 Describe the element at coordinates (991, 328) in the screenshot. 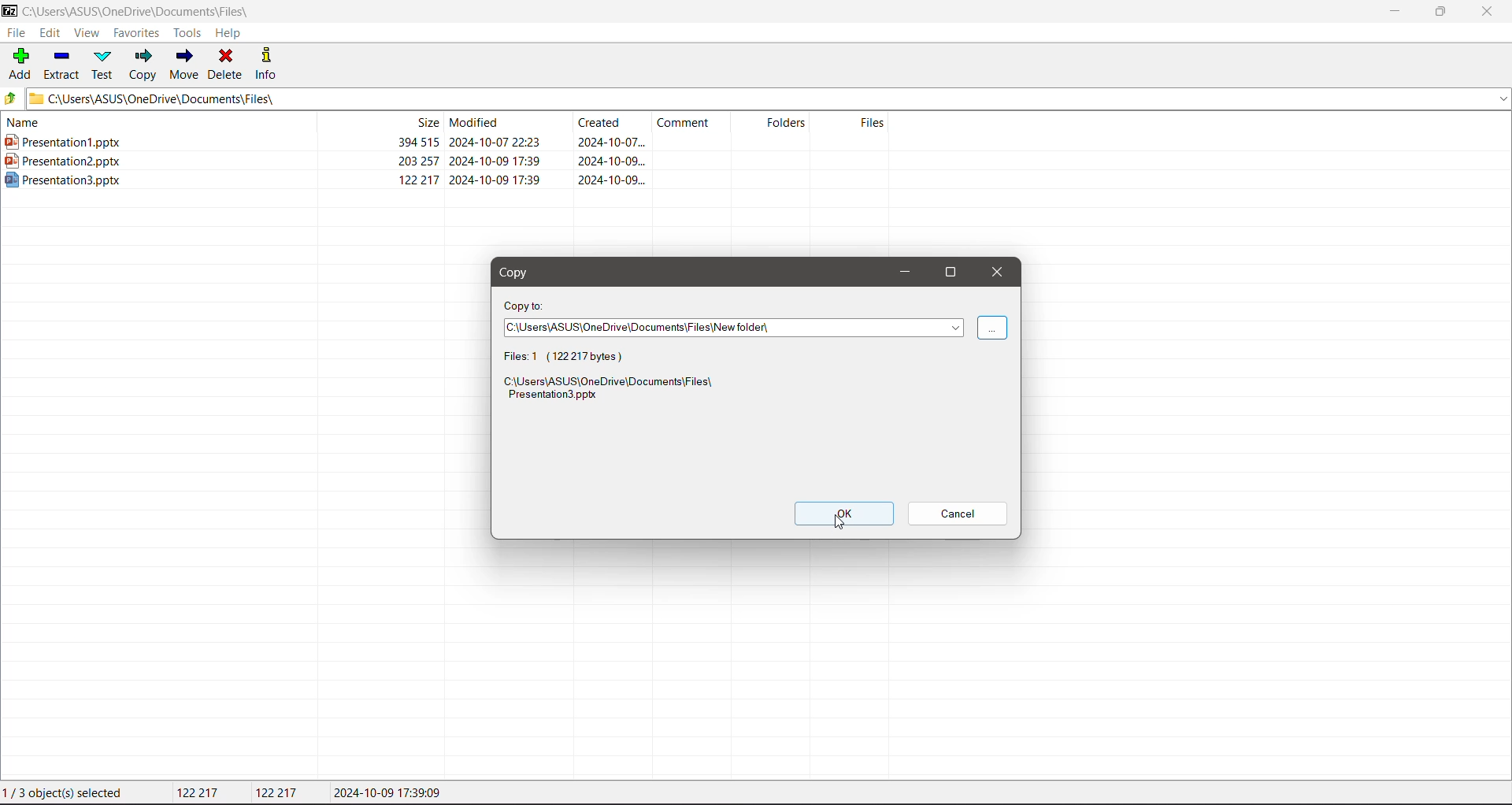

I see `dropdown` at that location.